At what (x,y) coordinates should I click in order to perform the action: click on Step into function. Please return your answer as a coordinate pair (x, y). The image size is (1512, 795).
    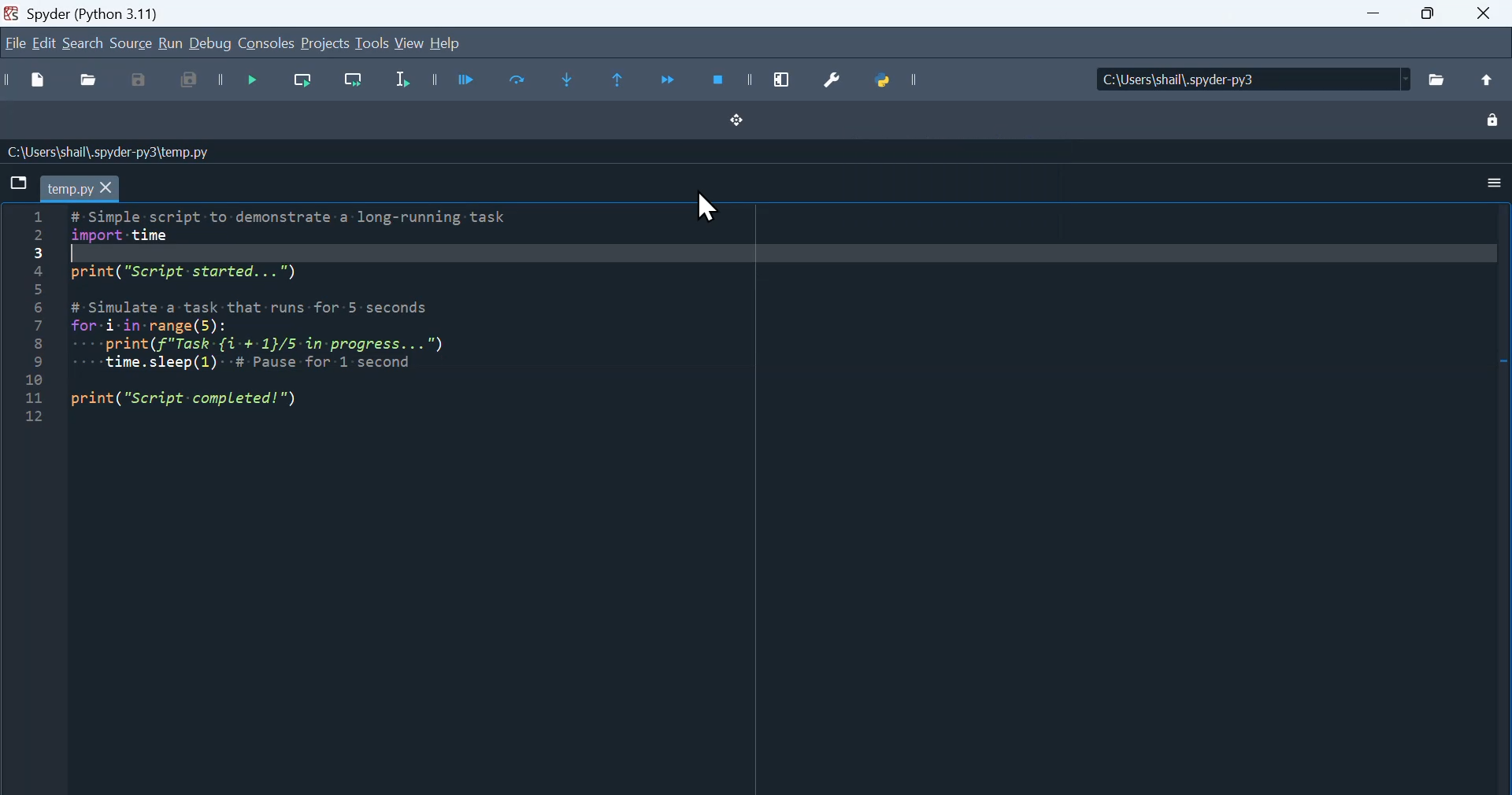
    Looking at the image, I should click on (573, 81).